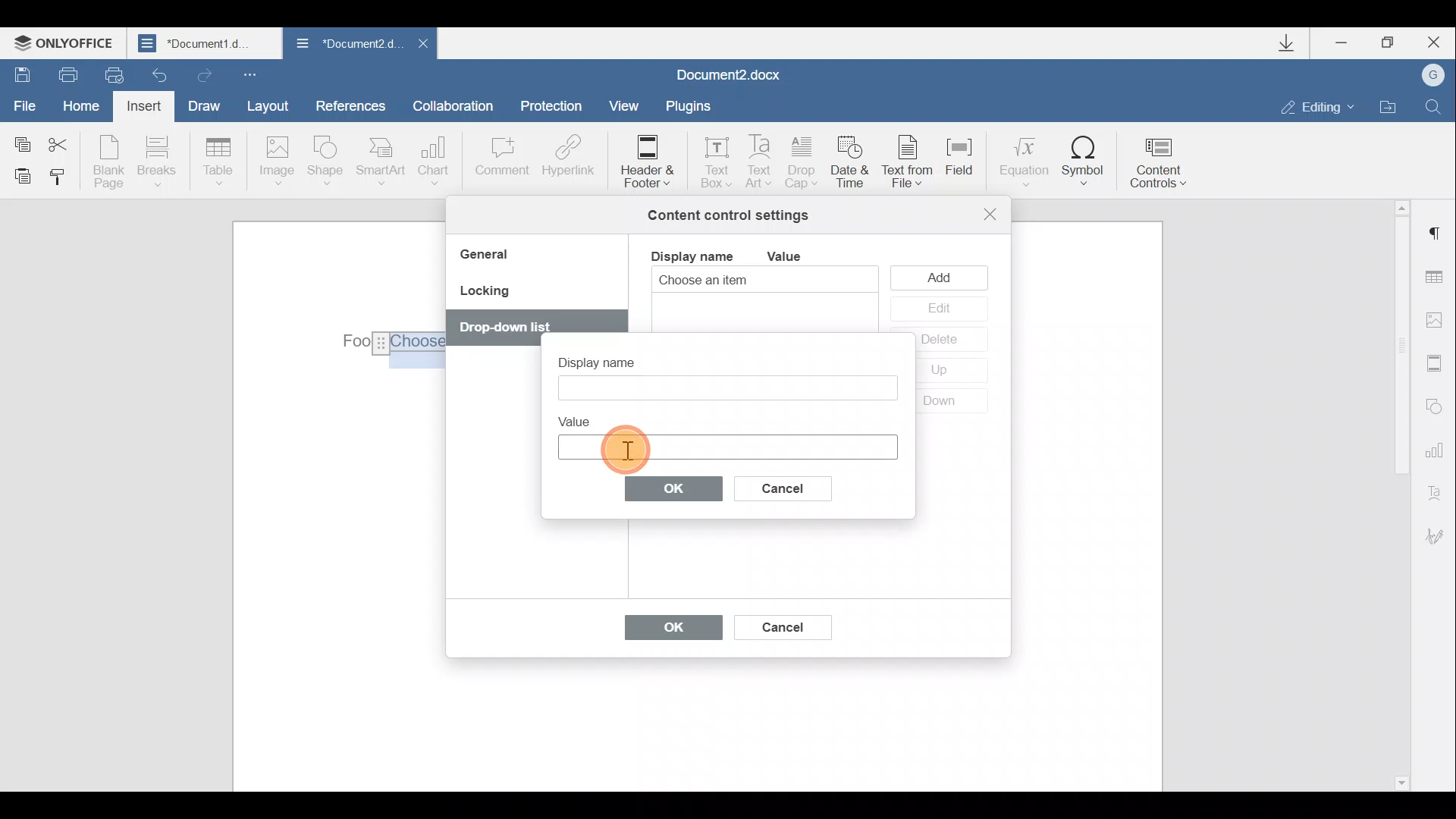 This screenshot has height=819, width=1456. Describe the element at coordinates (740, 281) in the screenshot. I see `Choose an item` at that location.